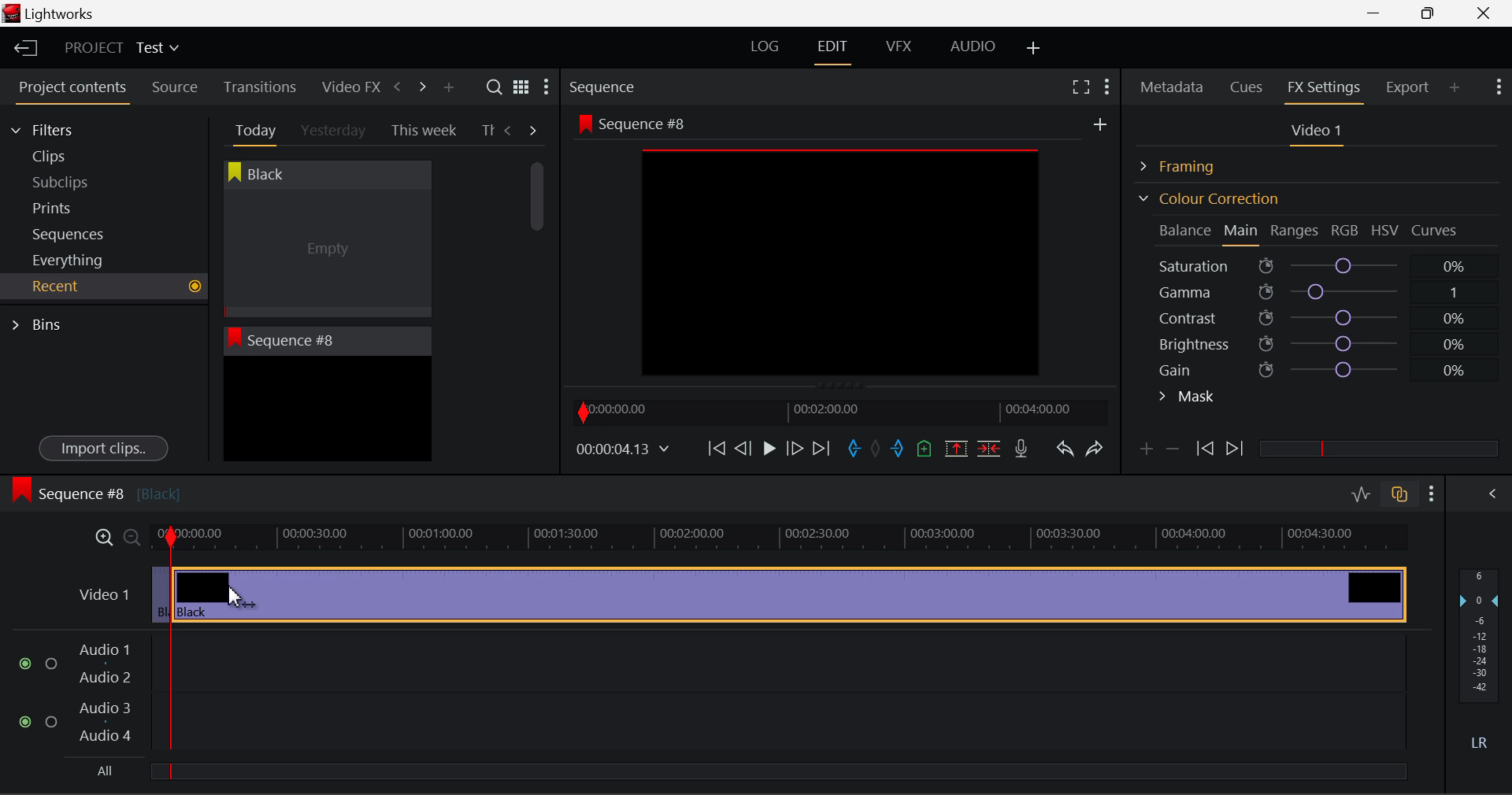 This screenshot has width=1512, height=795. What do you see at coordinates (1320, 292) in the screenshot?
I see `Gamma` at bounding box center [1320, 292].